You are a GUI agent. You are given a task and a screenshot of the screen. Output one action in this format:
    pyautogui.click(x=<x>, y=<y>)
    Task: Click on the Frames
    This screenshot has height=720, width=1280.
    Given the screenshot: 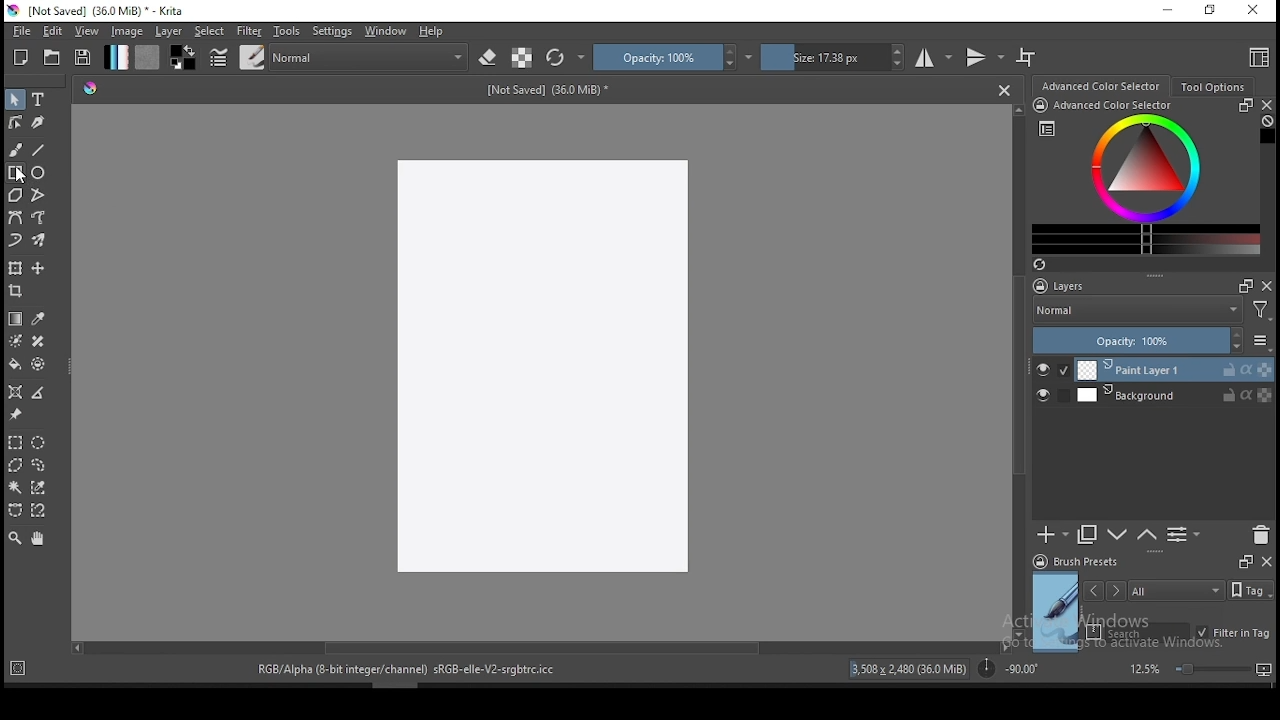 What is the action you would take?
    pyautogui.click(x=1245, y=561)
    